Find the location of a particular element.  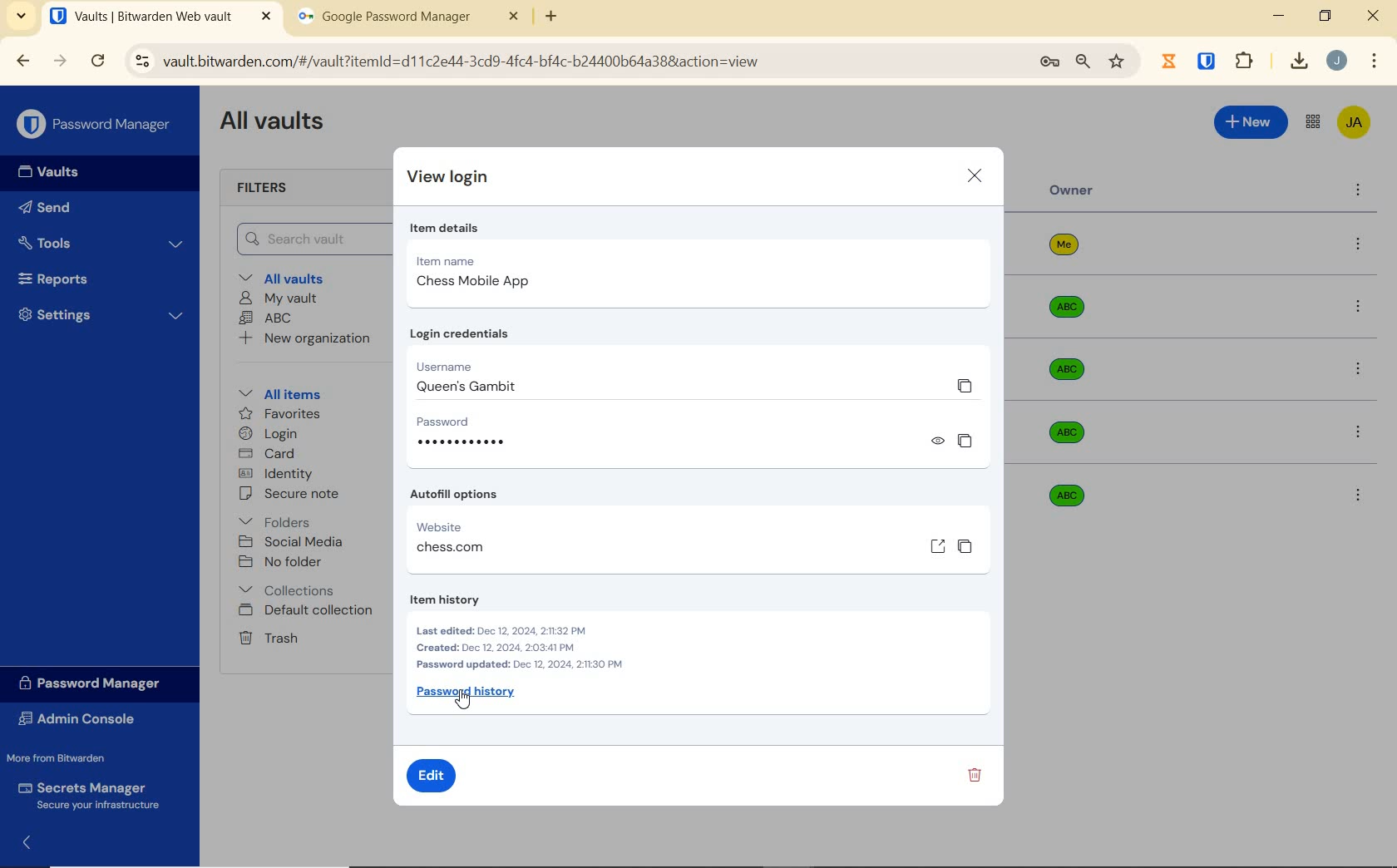

open tab is located at coordinates (163, 18).